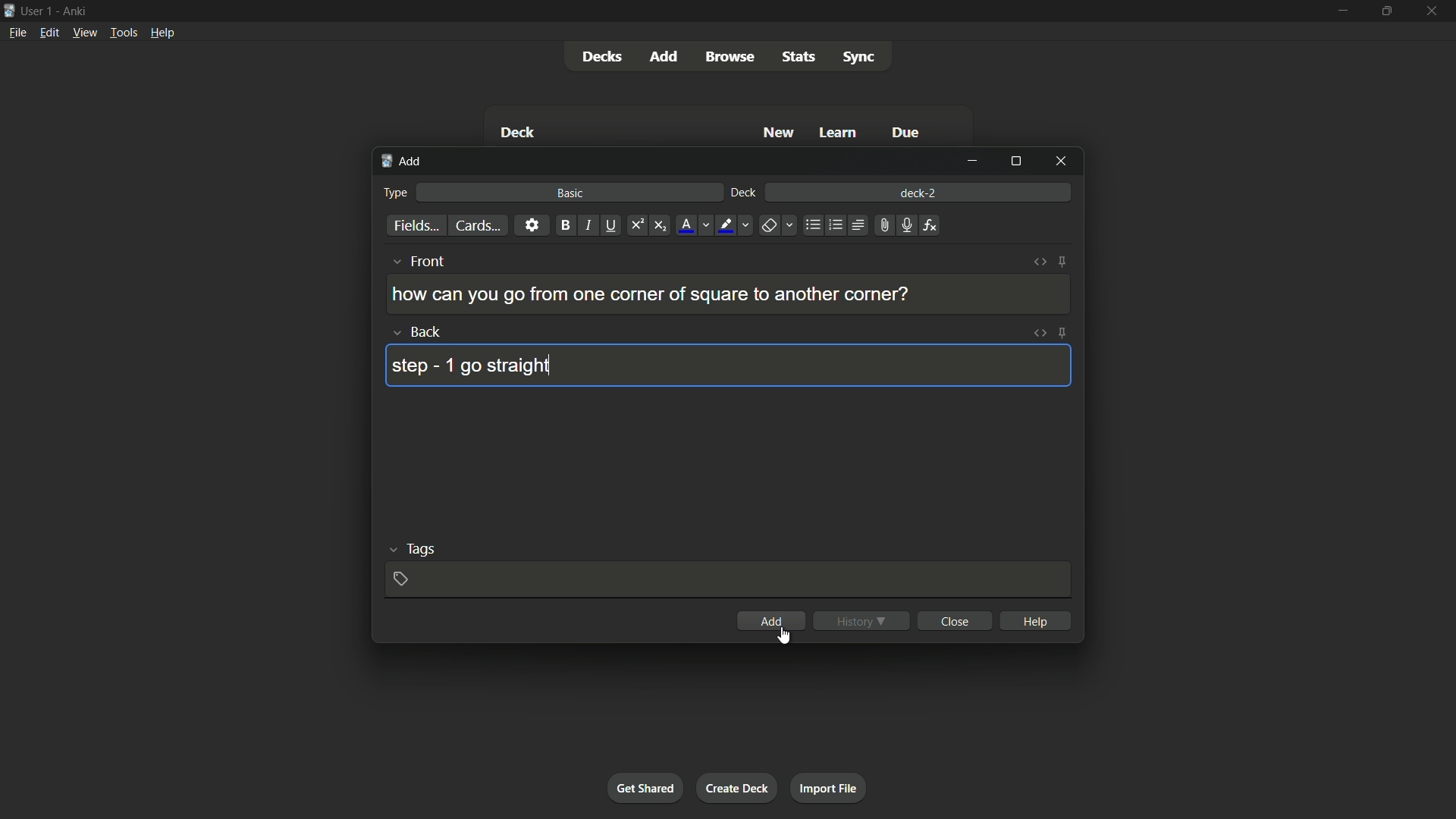  Describe the element at coordinates (8, 11) in the screenshot. I see `app icon` at that location.